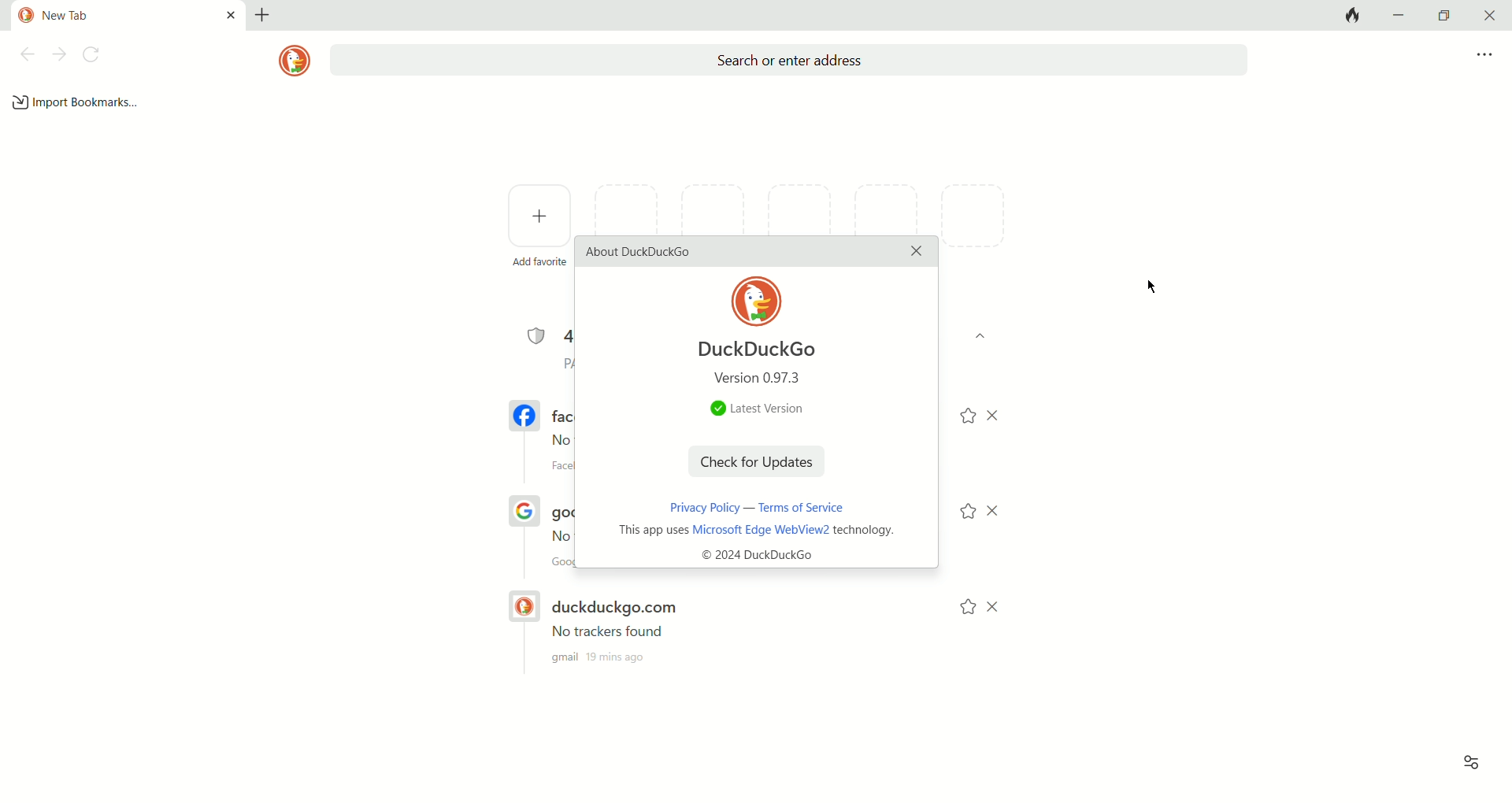  Describe the element at coordinates (26, 54) in the screenshot. I see `previous` at that location.